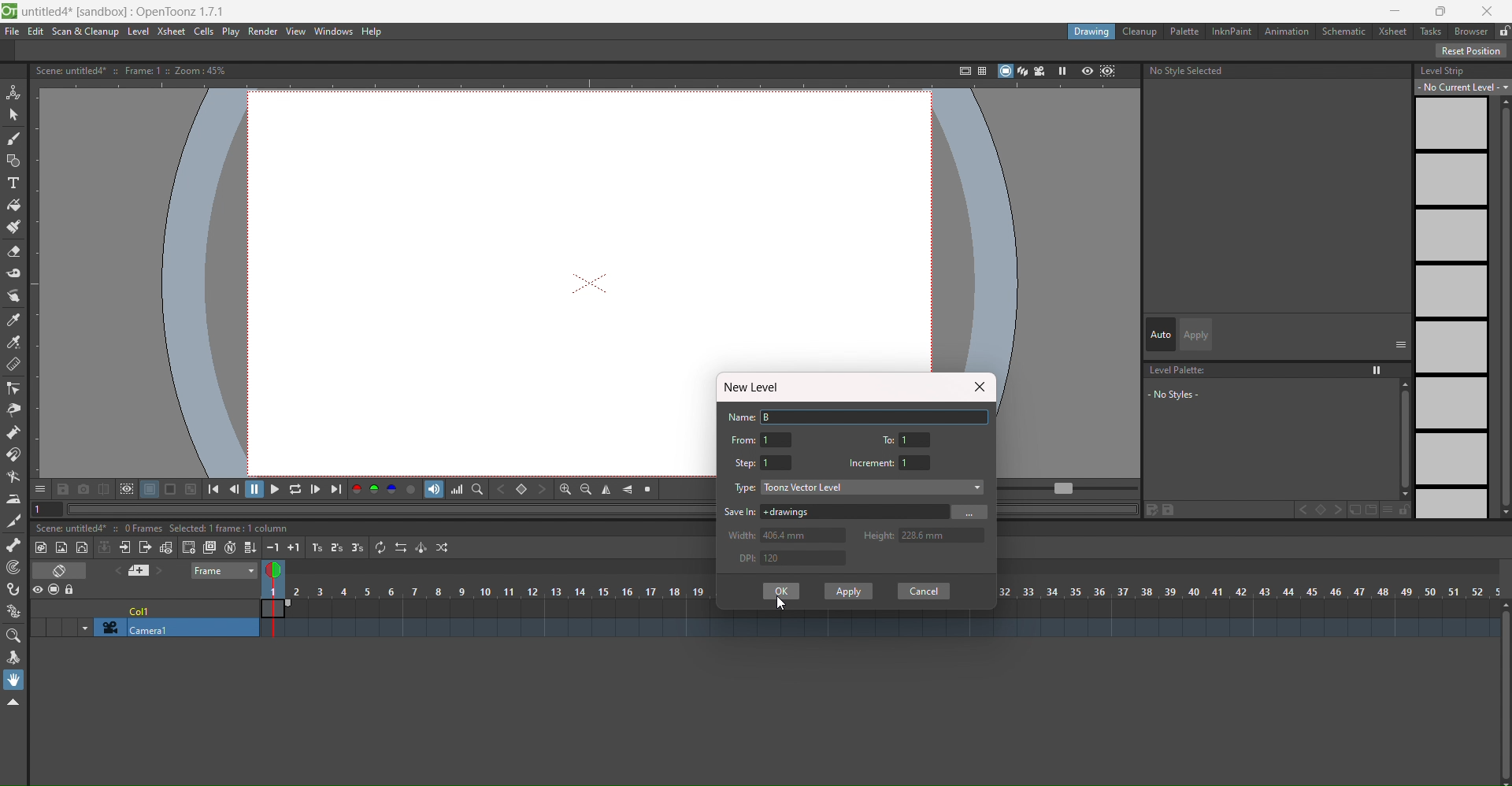  What do you see at coordinates (150, 489) in the screenshot?
I see `tool` at bounding box center [150, 489].